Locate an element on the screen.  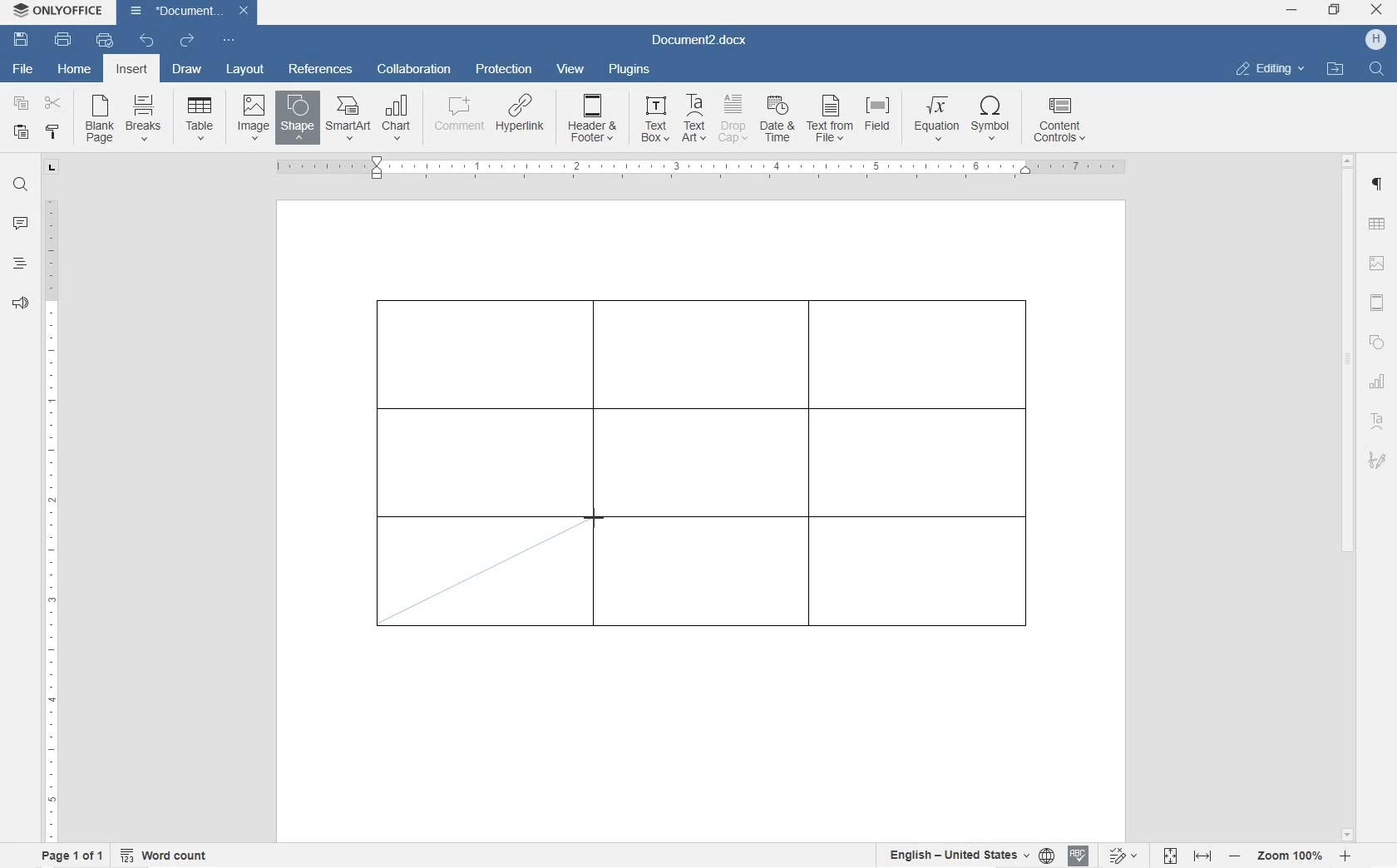
page 1 of 1 is located at coordinates (70, 856).